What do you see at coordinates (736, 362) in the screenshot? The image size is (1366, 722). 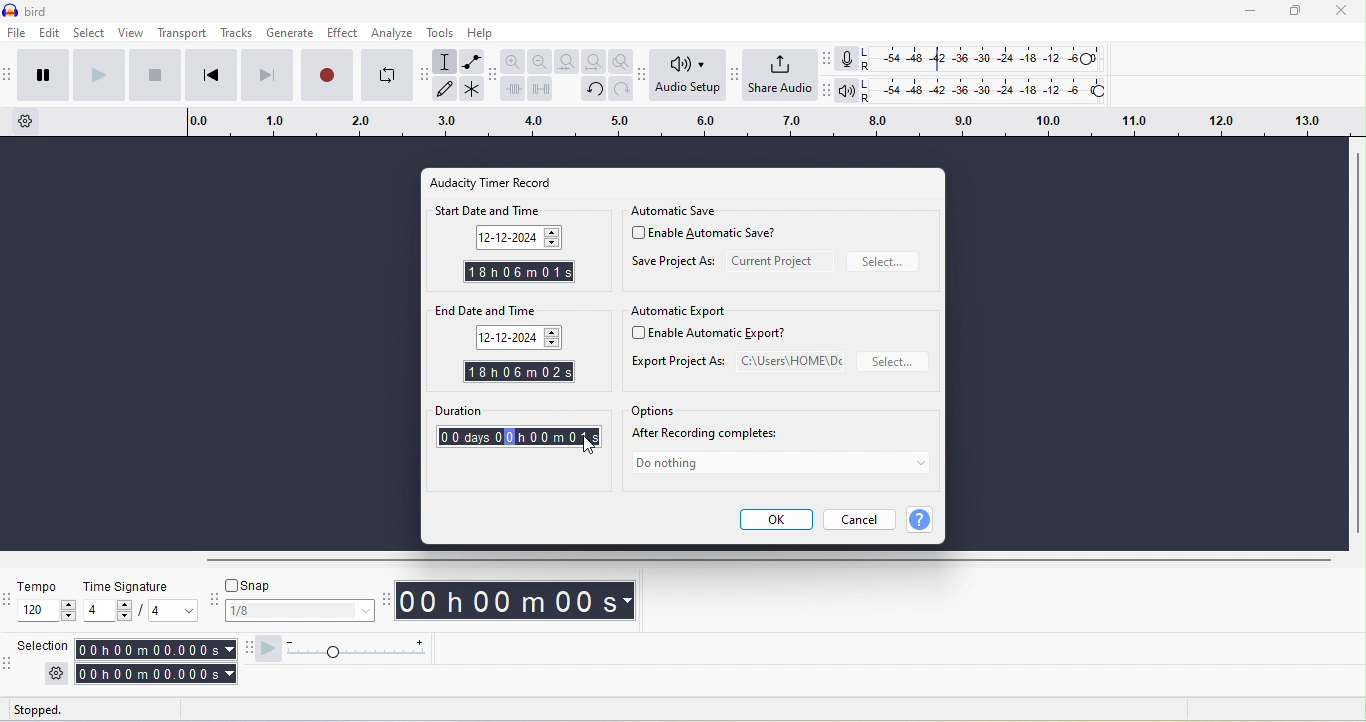 I see `export project as` at bounding box center [736, 362].